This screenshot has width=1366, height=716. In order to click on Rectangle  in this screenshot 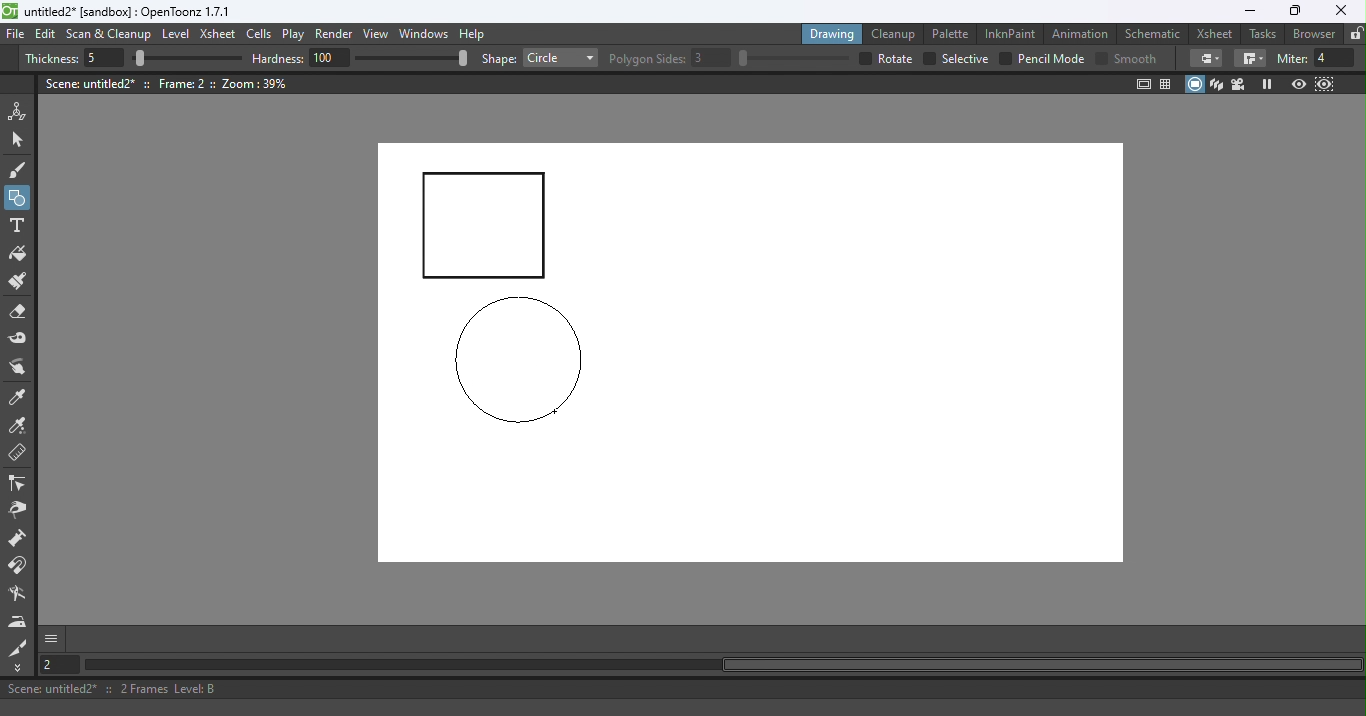, I will do `click(560, 58)`.